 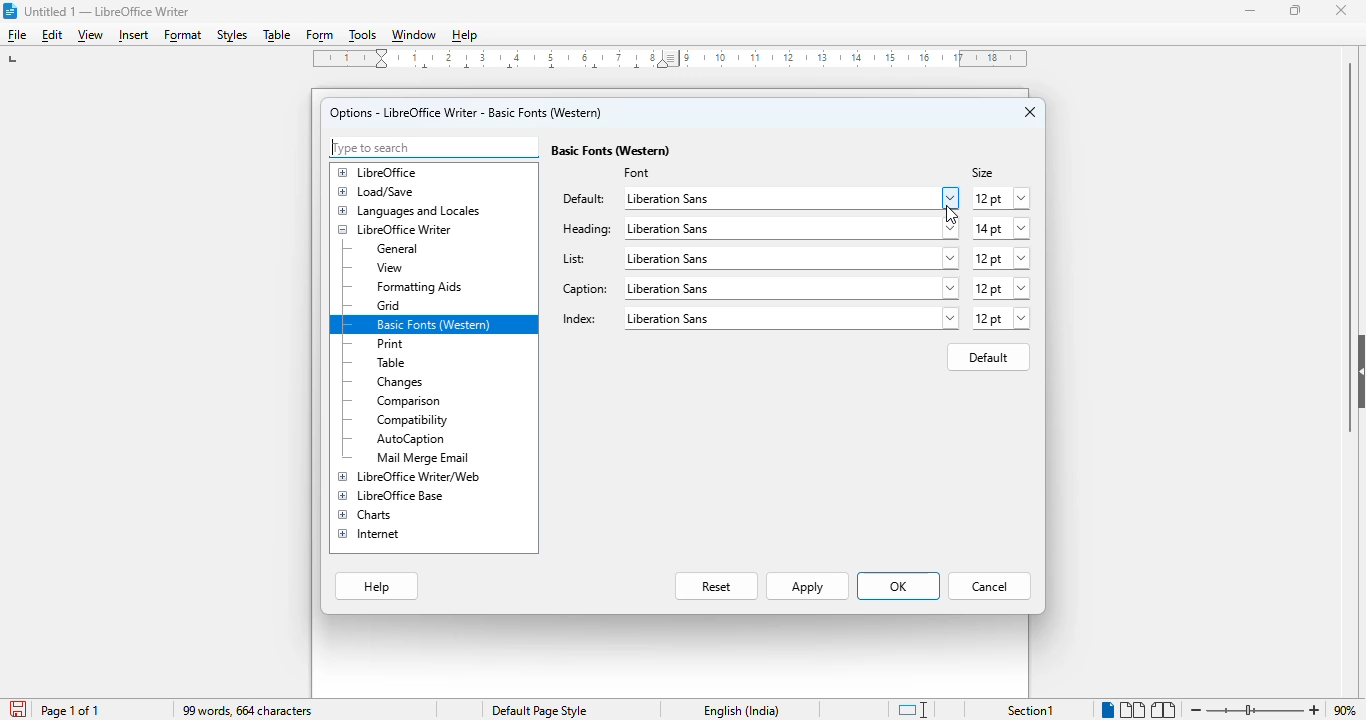 I want to click on view, so click(x=90, y=36).